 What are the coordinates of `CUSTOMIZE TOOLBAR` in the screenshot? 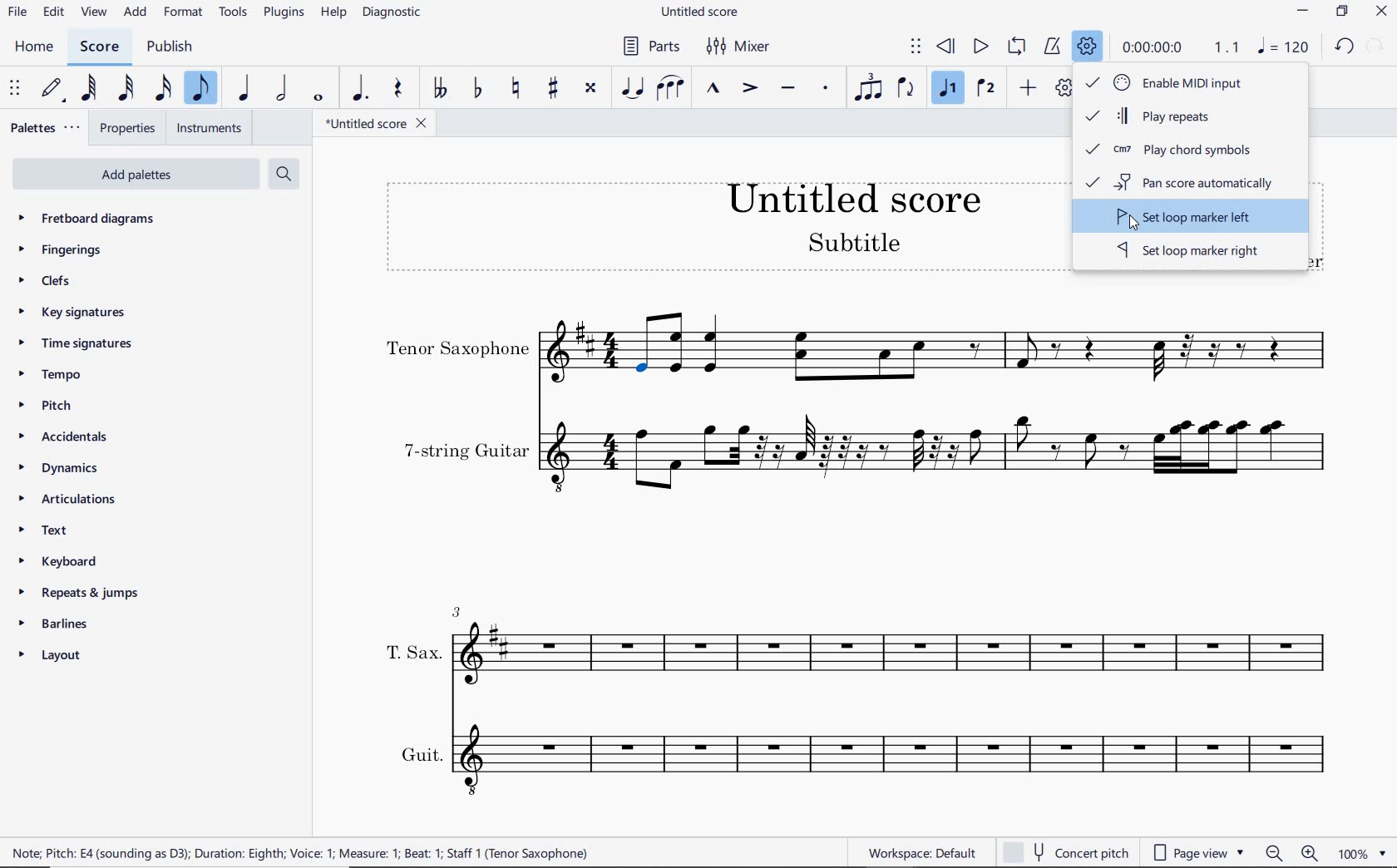 It's located at (1059, 89).